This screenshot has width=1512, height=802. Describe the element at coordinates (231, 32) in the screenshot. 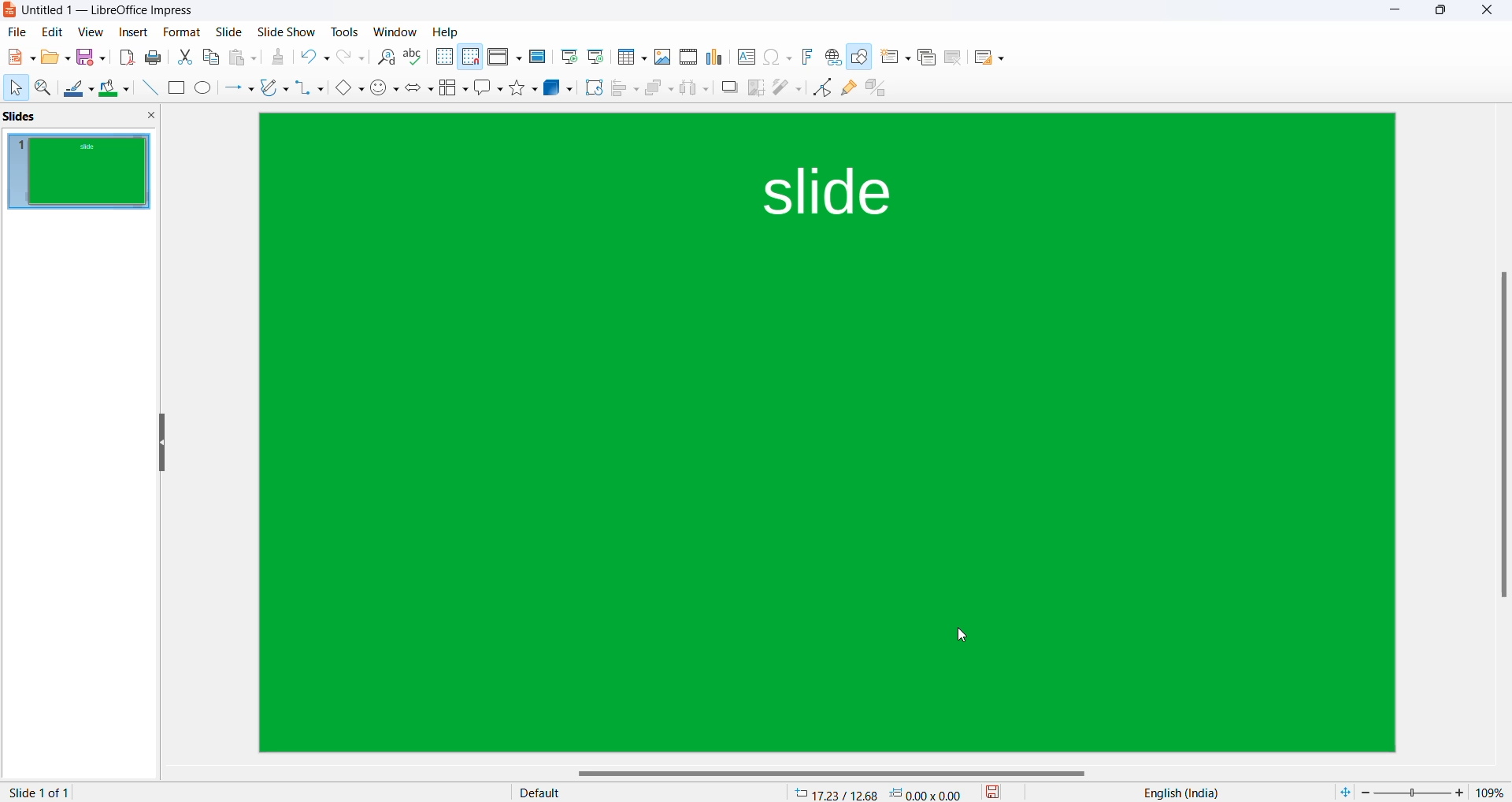

I see `slide` at that location.